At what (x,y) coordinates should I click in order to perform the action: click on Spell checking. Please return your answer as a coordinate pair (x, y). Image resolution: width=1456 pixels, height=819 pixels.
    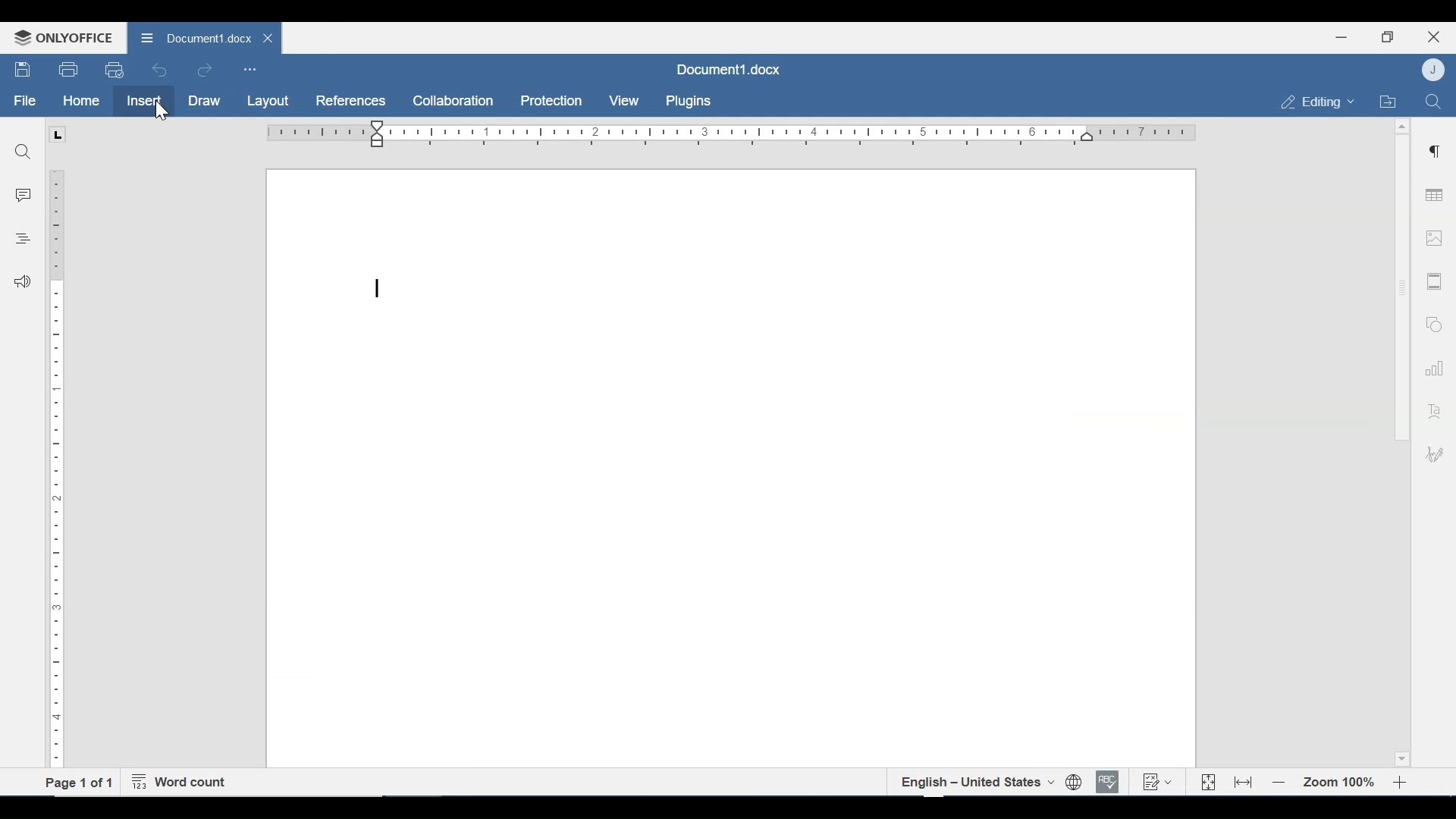
    Looking at the image, I should click on (1108, 782).